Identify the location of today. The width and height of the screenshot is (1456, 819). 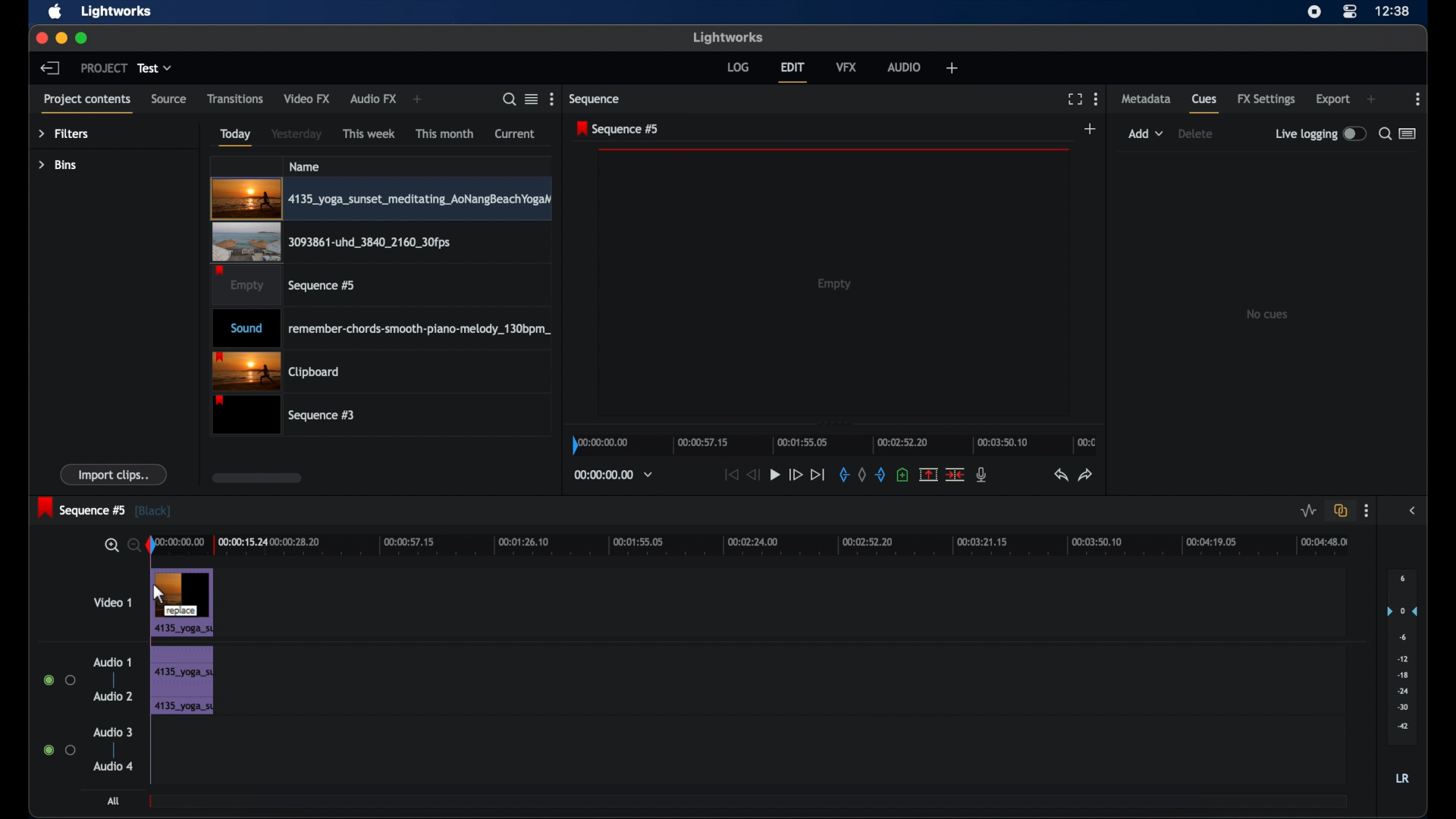
(236, 137).